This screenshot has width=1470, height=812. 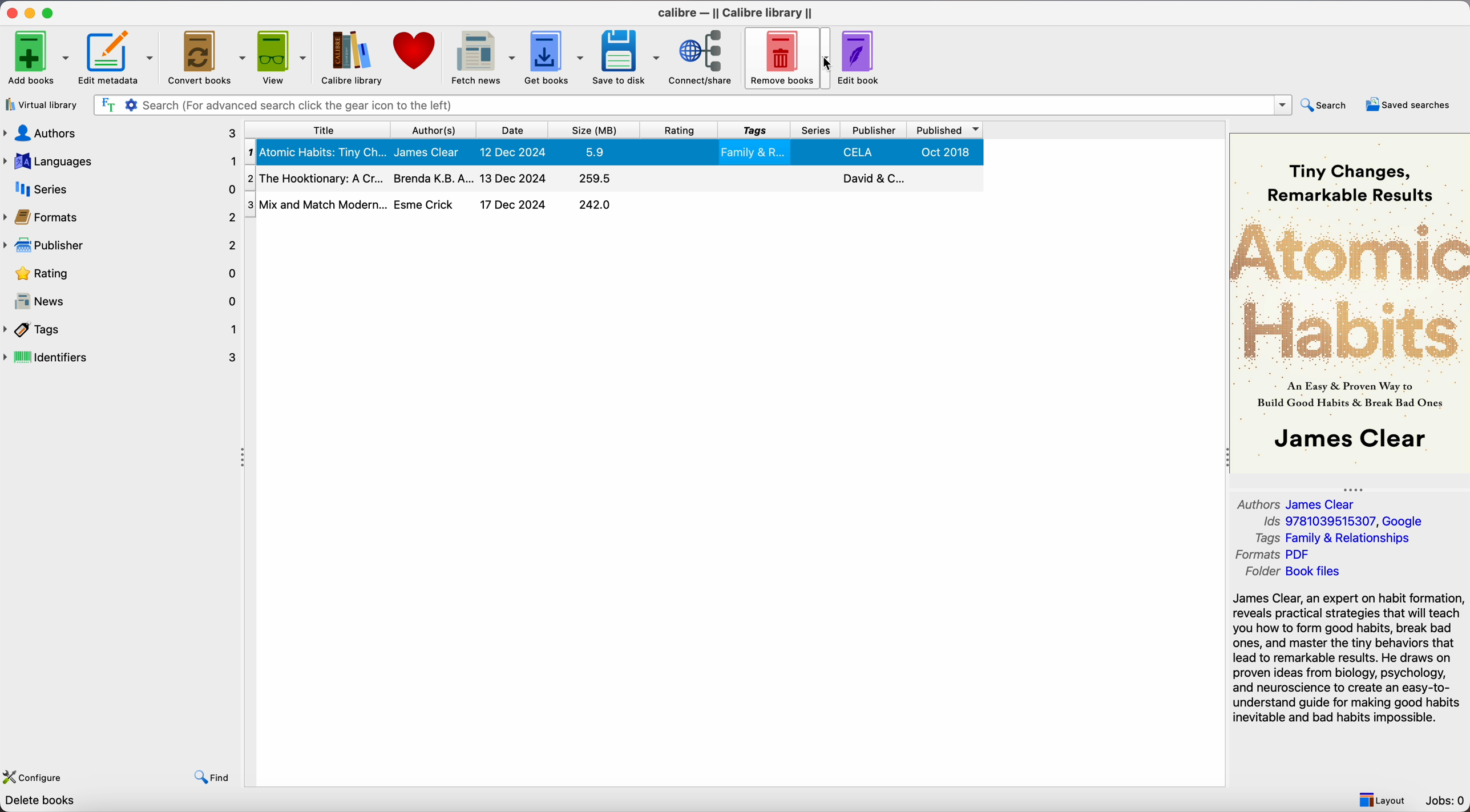 I want to click on 12 Dec 2024, so click(x=515, y=151).